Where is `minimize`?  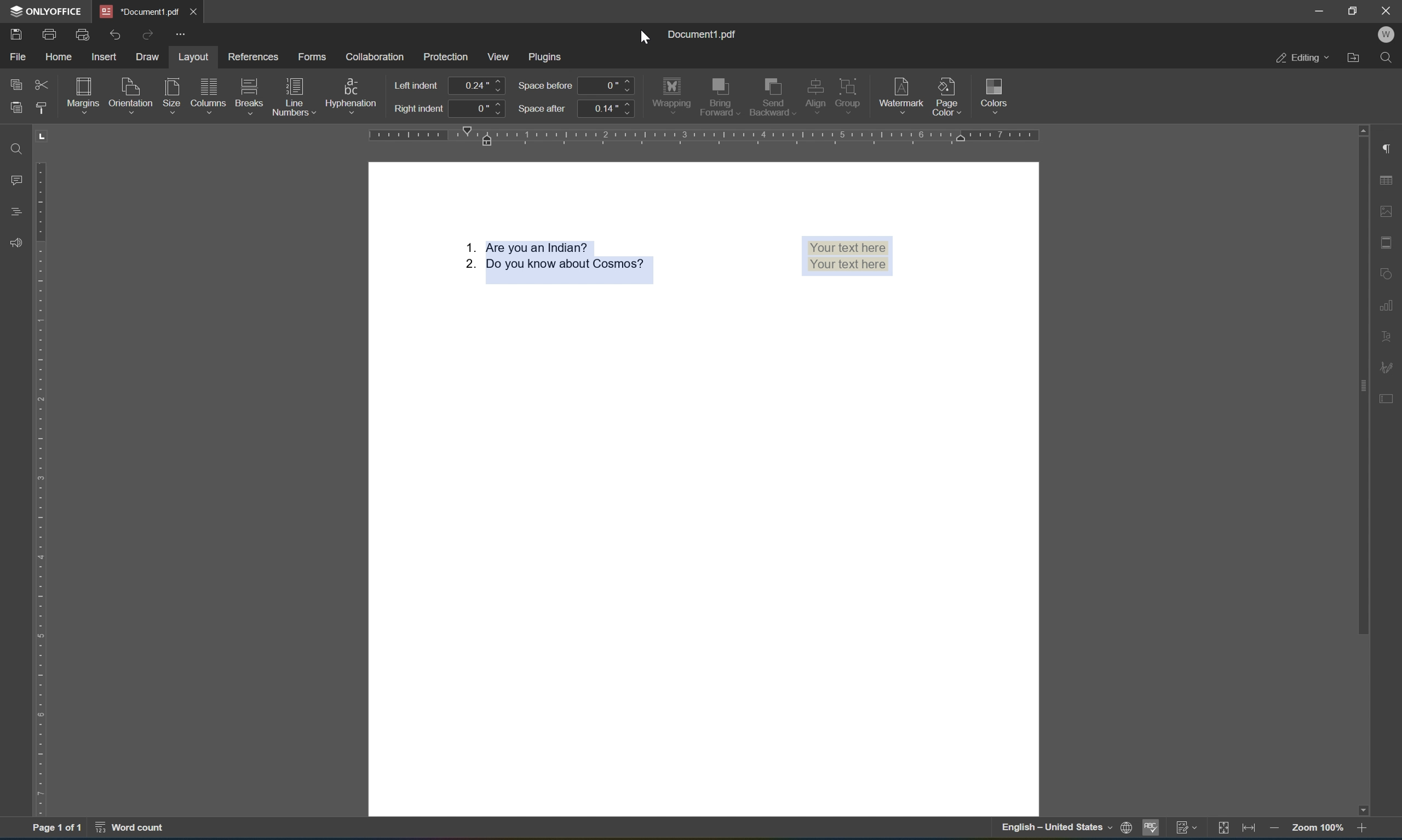
minimize is located at coordinates (1320, 8).